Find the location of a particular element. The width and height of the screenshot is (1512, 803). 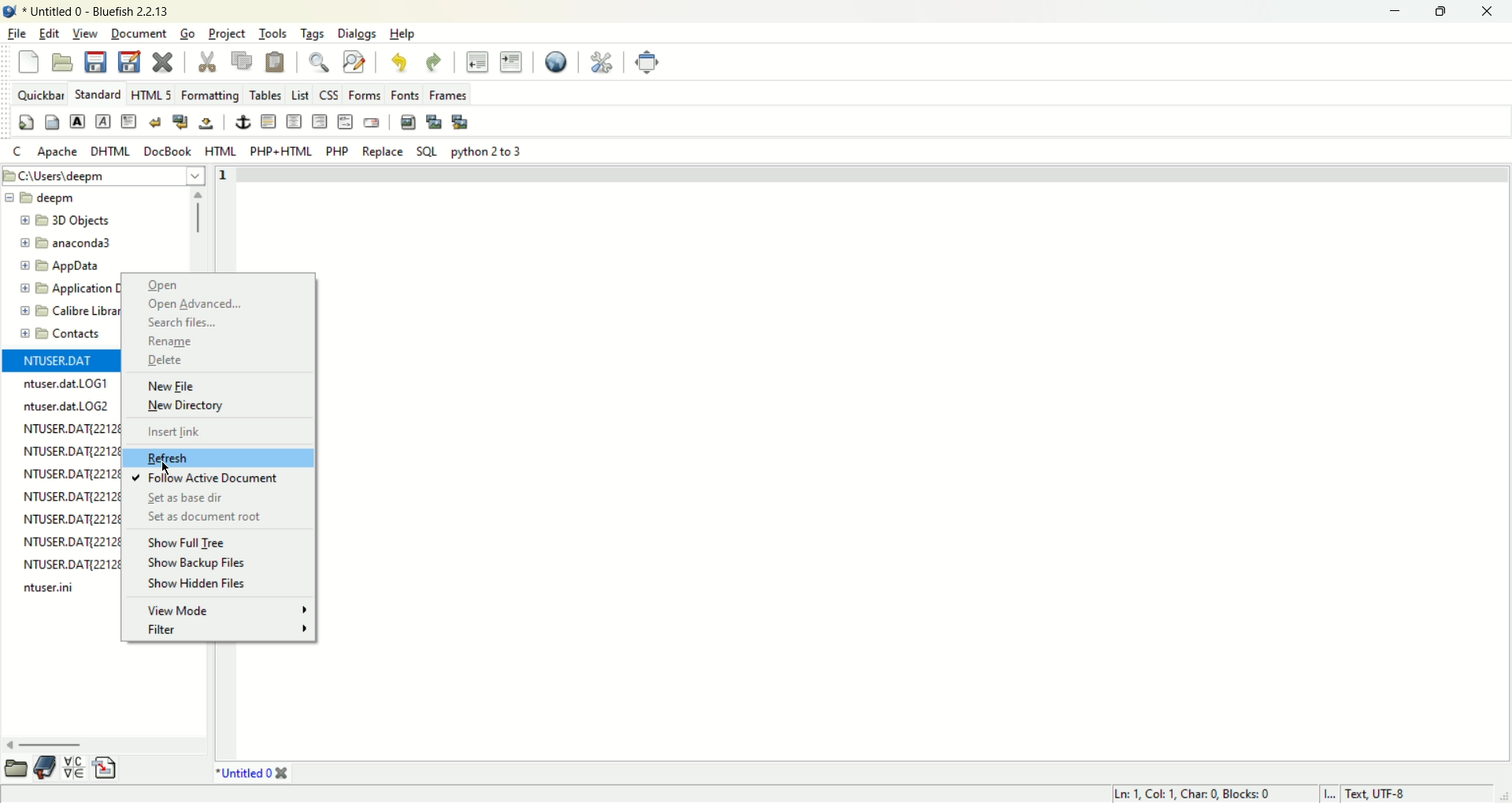

follow active document is located at coordinates (207, 477).